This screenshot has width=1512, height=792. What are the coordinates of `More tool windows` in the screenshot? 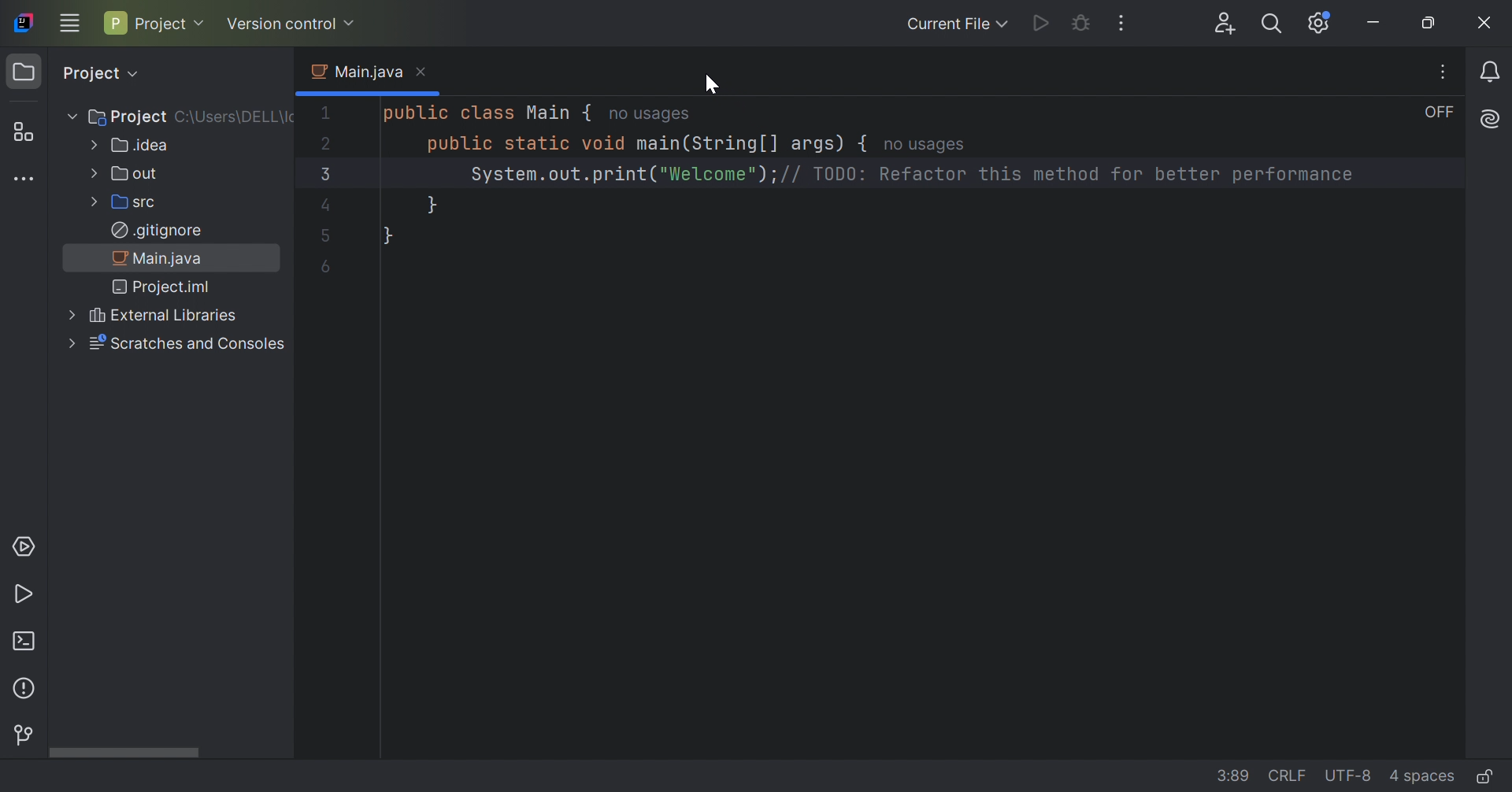 It's located at (28, 181).